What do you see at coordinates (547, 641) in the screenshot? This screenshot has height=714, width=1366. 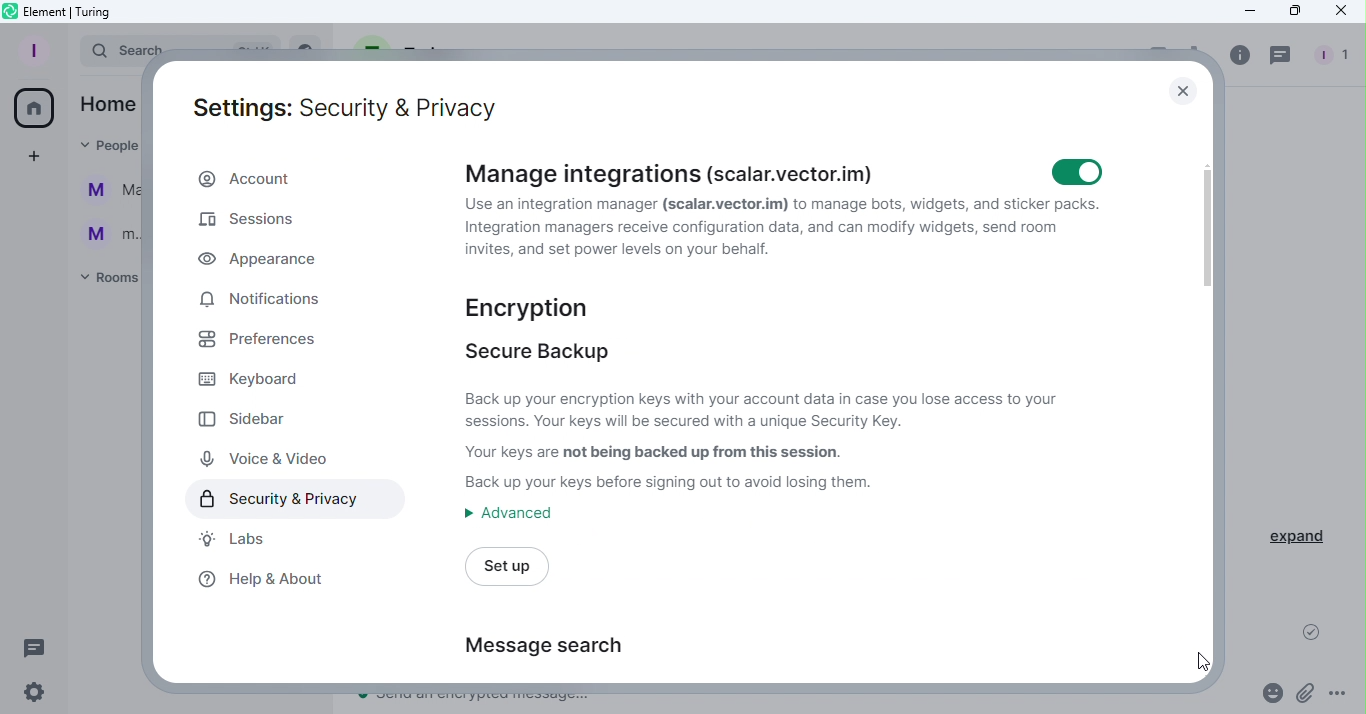 I see `Message research` at bounding box center [547, 641].